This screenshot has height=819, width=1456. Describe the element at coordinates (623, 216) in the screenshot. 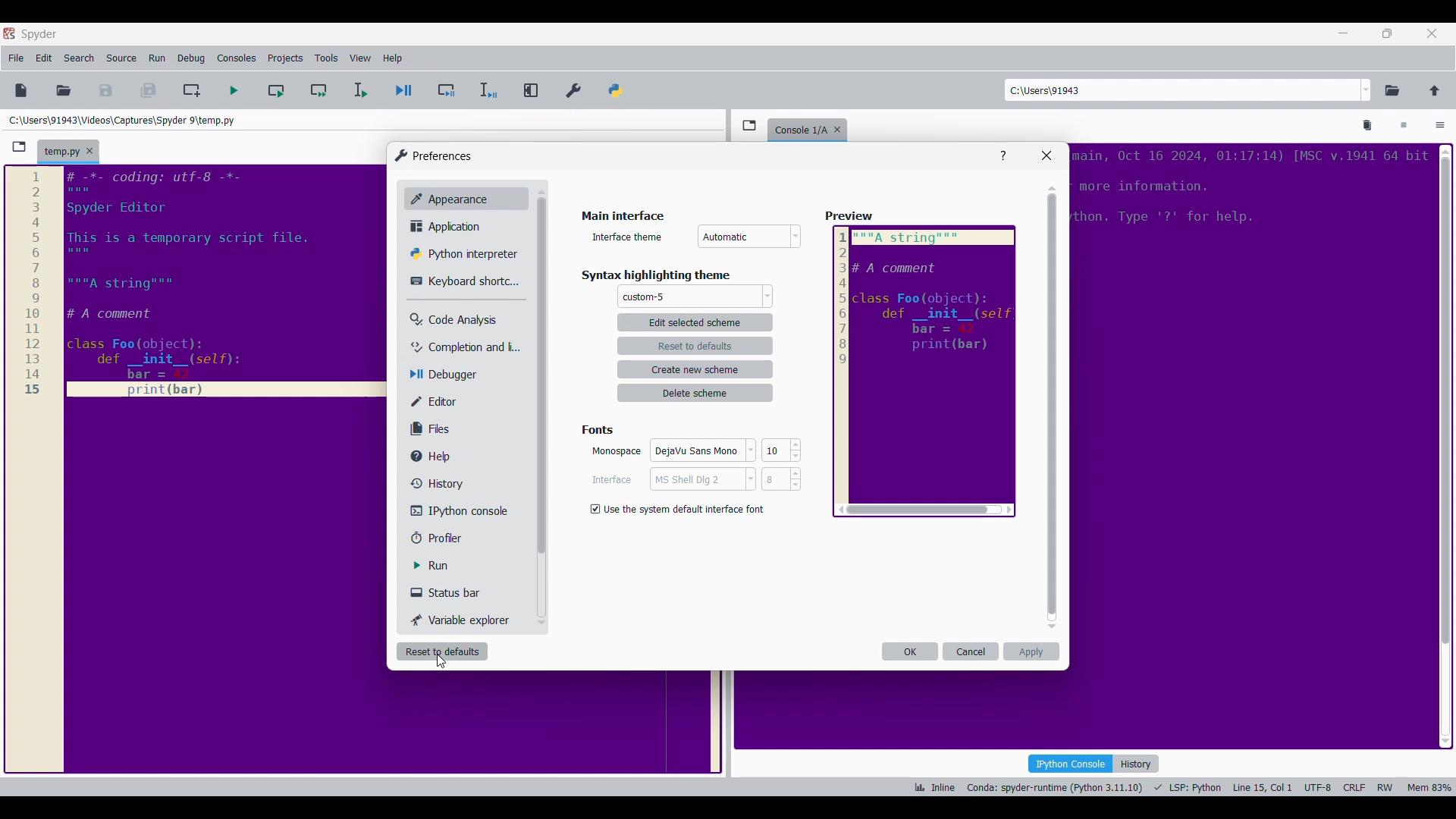

I see `Section title` at that location.